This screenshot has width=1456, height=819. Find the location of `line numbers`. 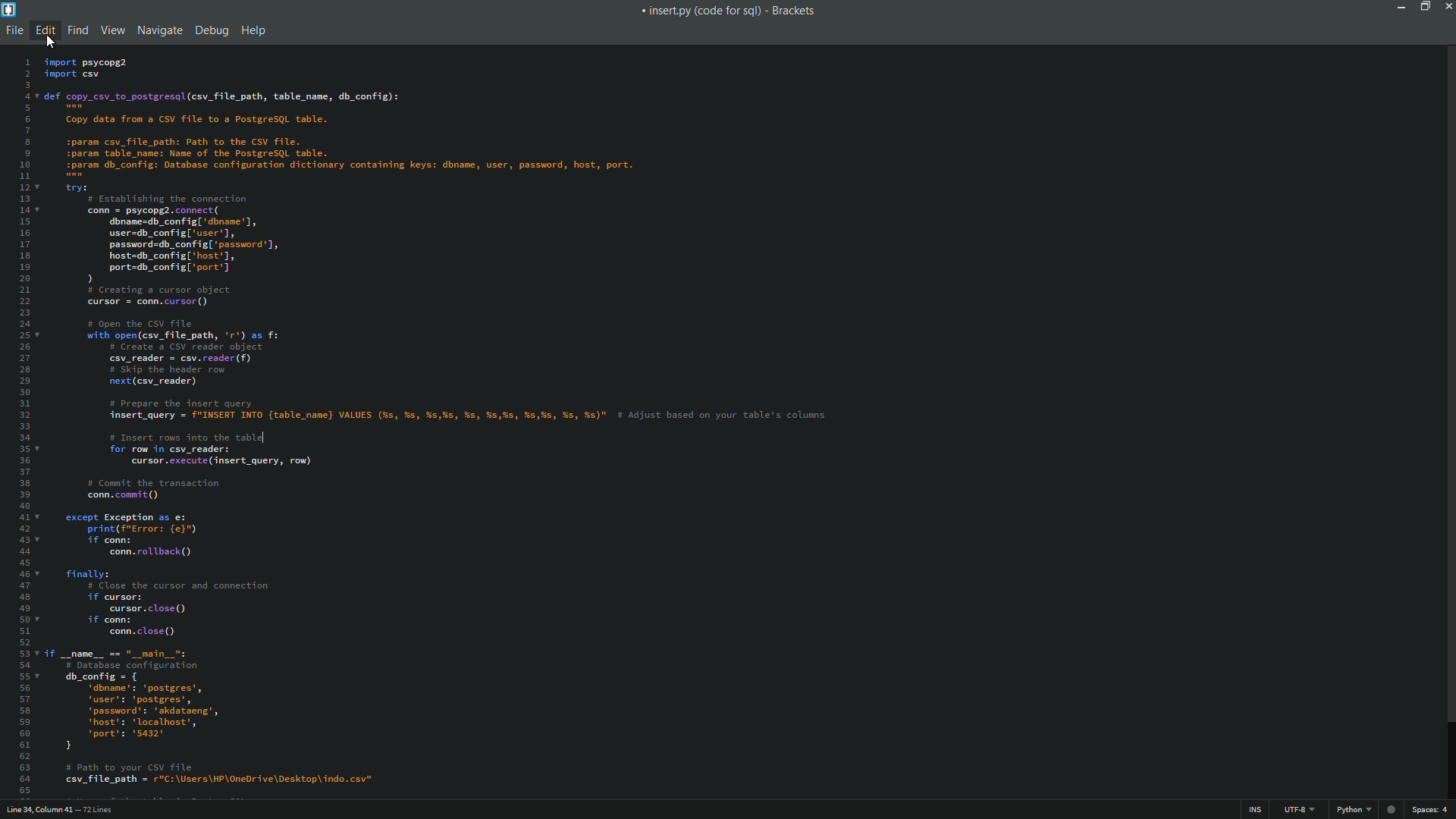

line numbers is located at coordinates (20, 428).